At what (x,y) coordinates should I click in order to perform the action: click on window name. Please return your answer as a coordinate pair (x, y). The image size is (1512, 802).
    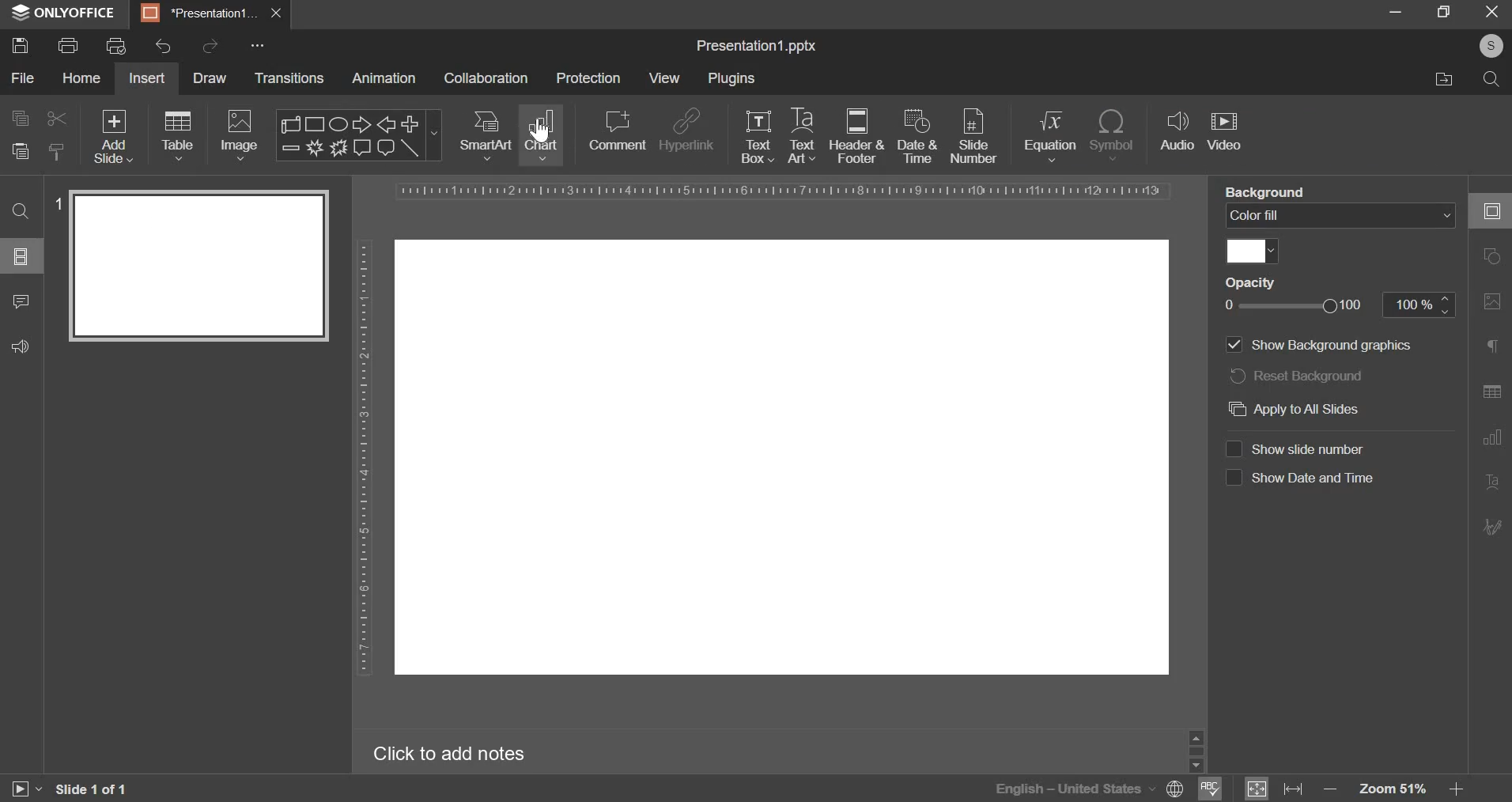
    Looking at the image, I should click on (65, 14).